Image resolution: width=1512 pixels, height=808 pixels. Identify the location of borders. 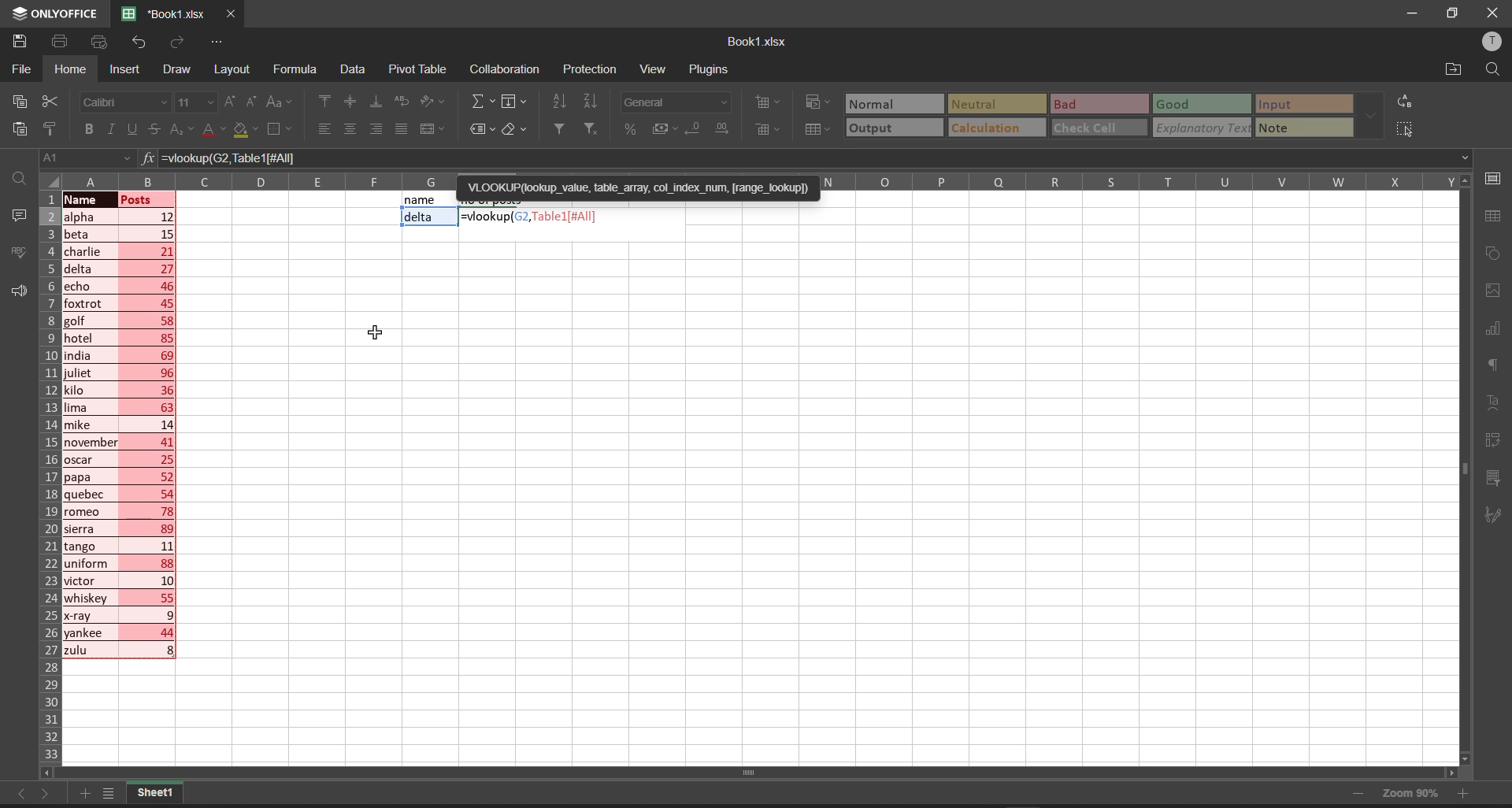
(282, 130).